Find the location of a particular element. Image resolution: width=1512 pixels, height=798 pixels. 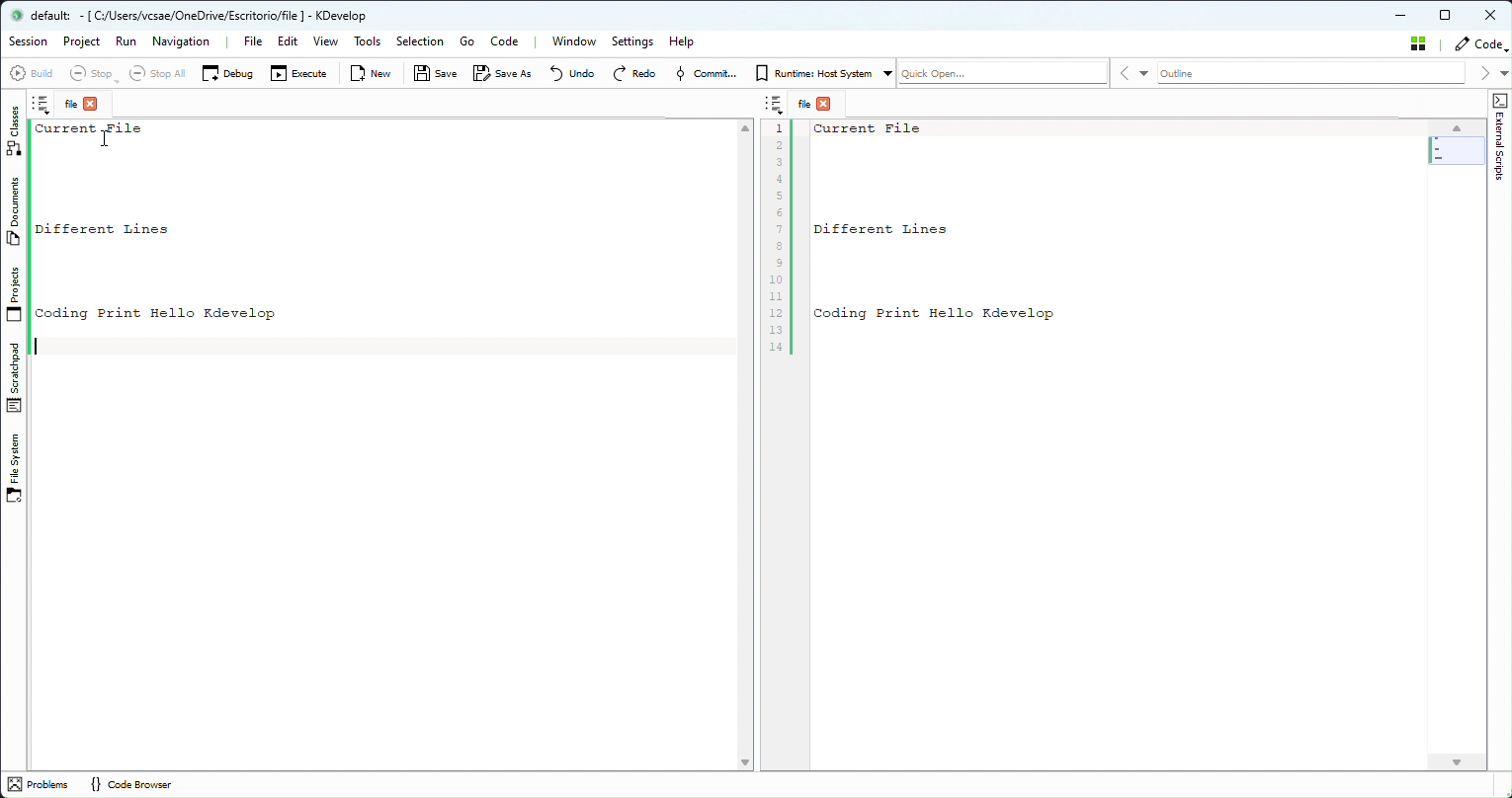

Project is located at coordinates (85, 43).